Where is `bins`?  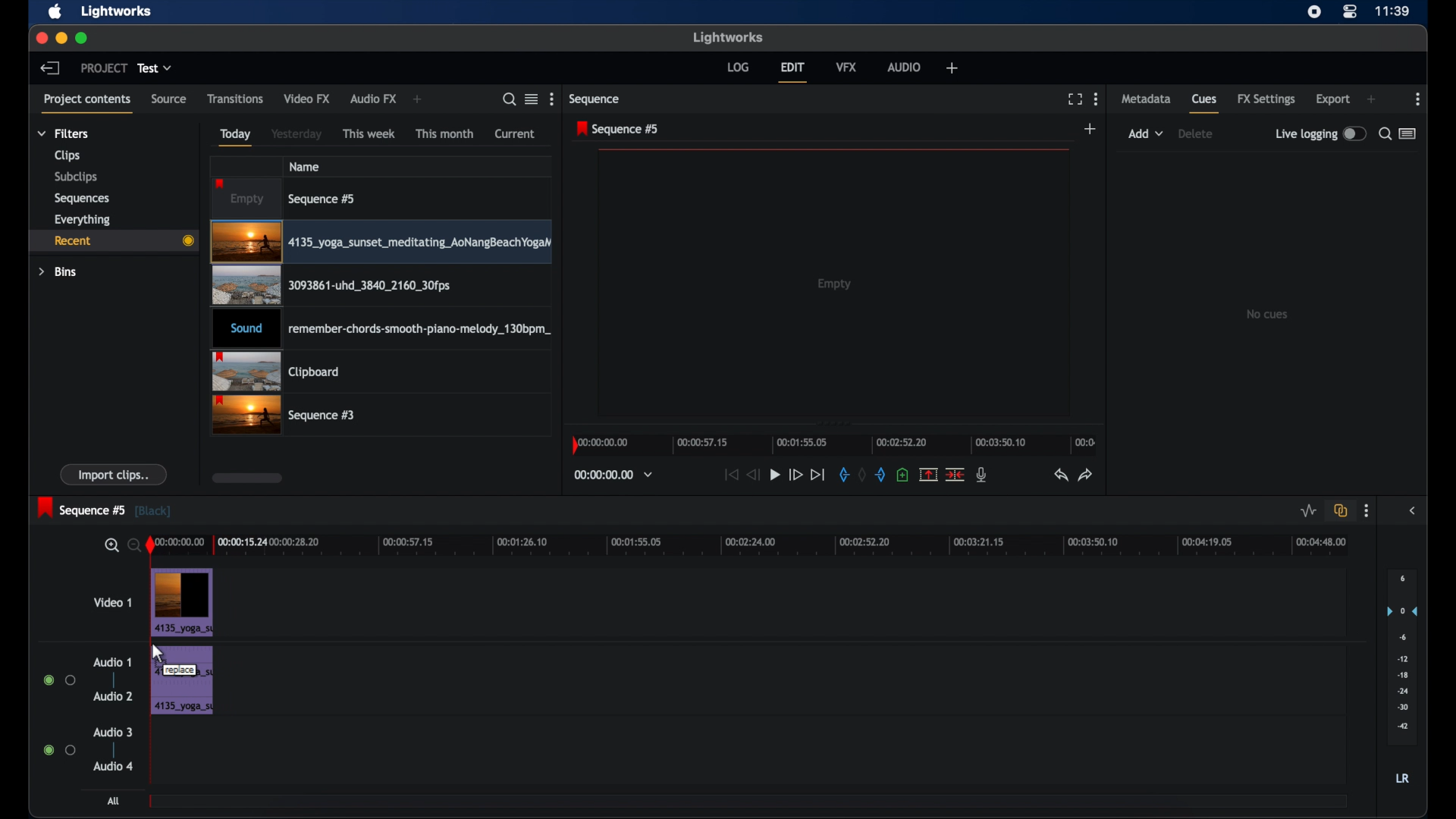
bins is located at coordinates (59, 273).